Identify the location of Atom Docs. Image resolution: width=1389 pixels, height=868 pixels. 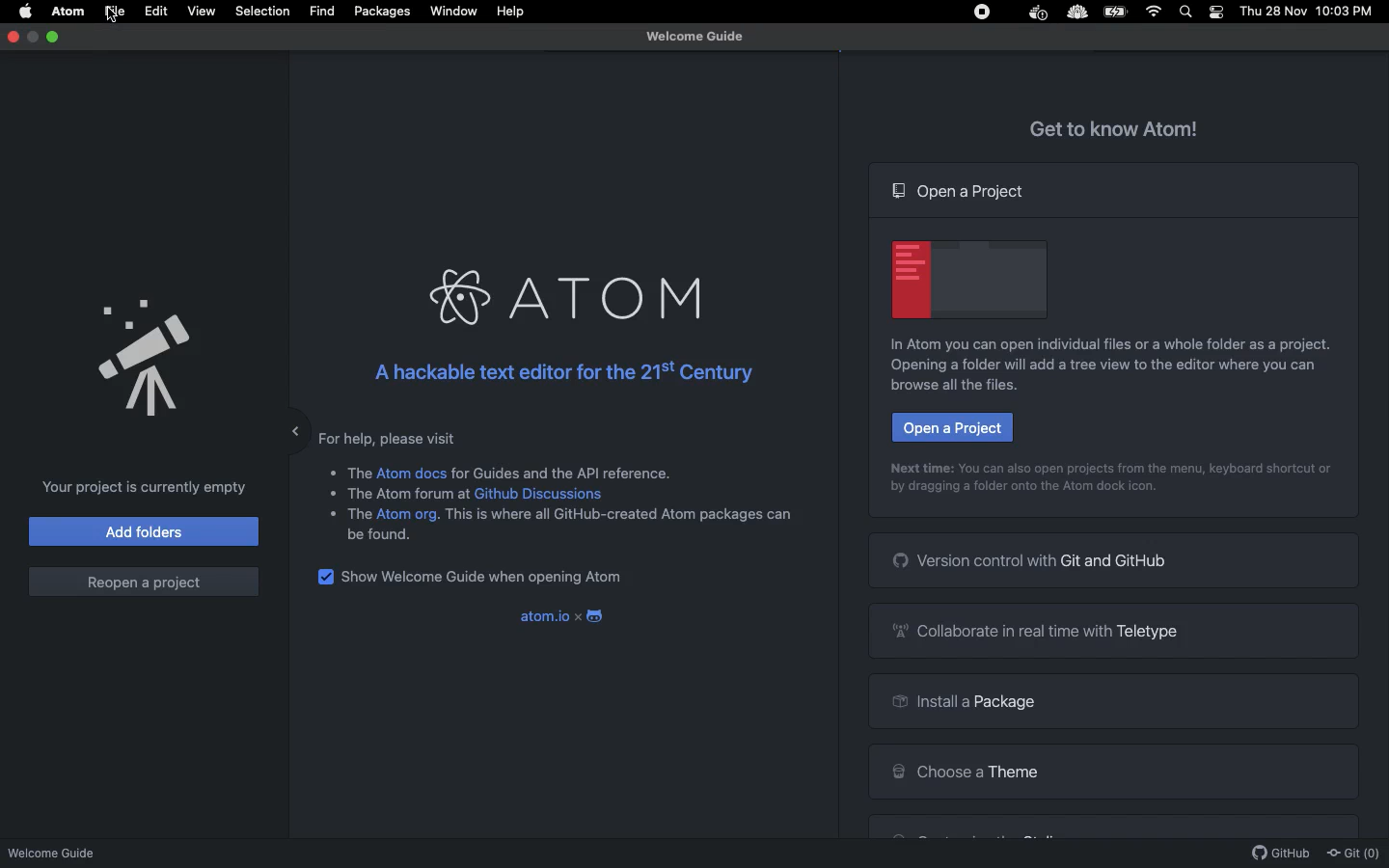
(412, 472).